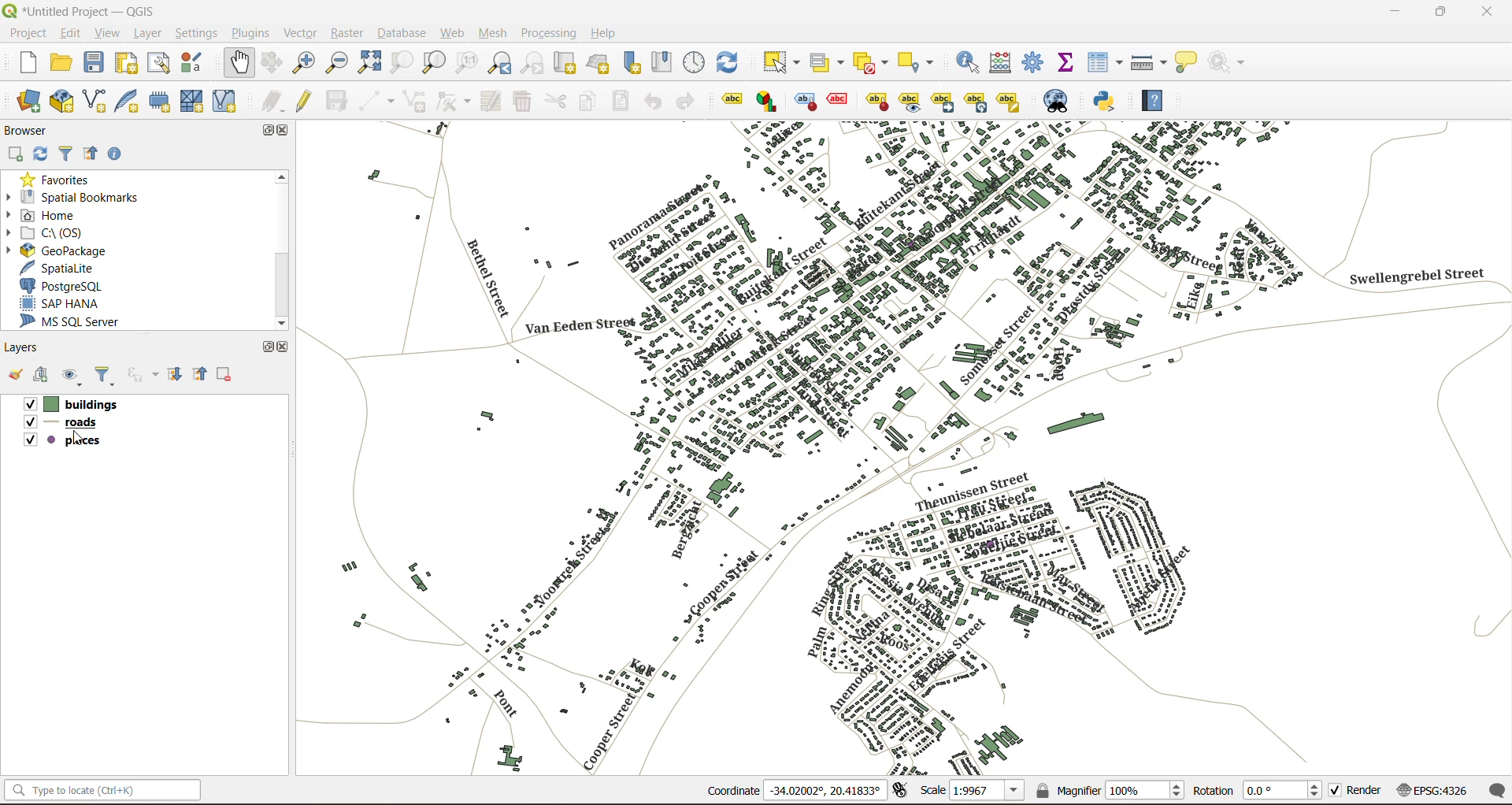 This screenshot has height=805, width=1512. I want to click on print layout, so click(128, 65).